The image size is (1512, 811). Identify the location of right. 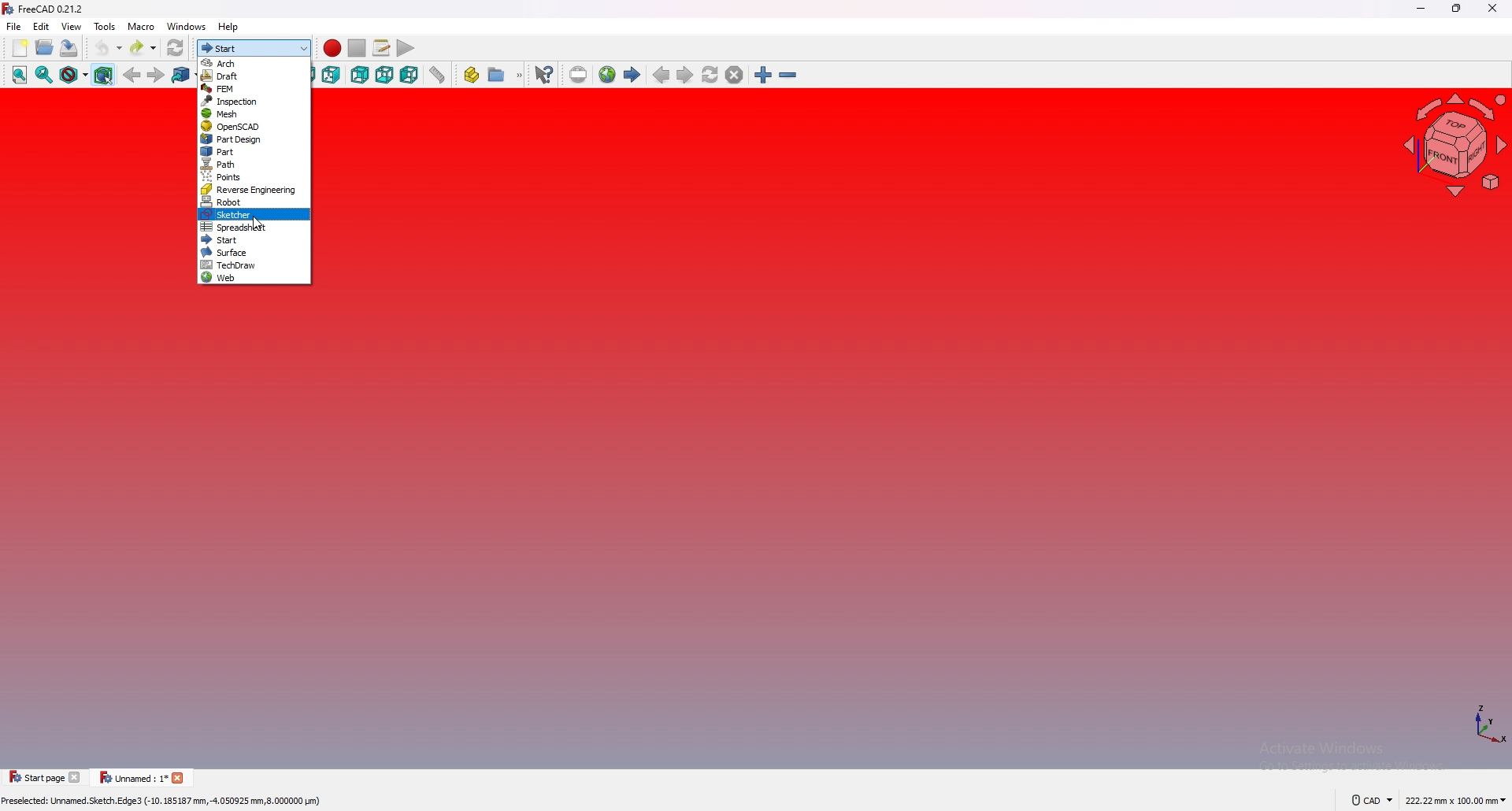
(331, 75).